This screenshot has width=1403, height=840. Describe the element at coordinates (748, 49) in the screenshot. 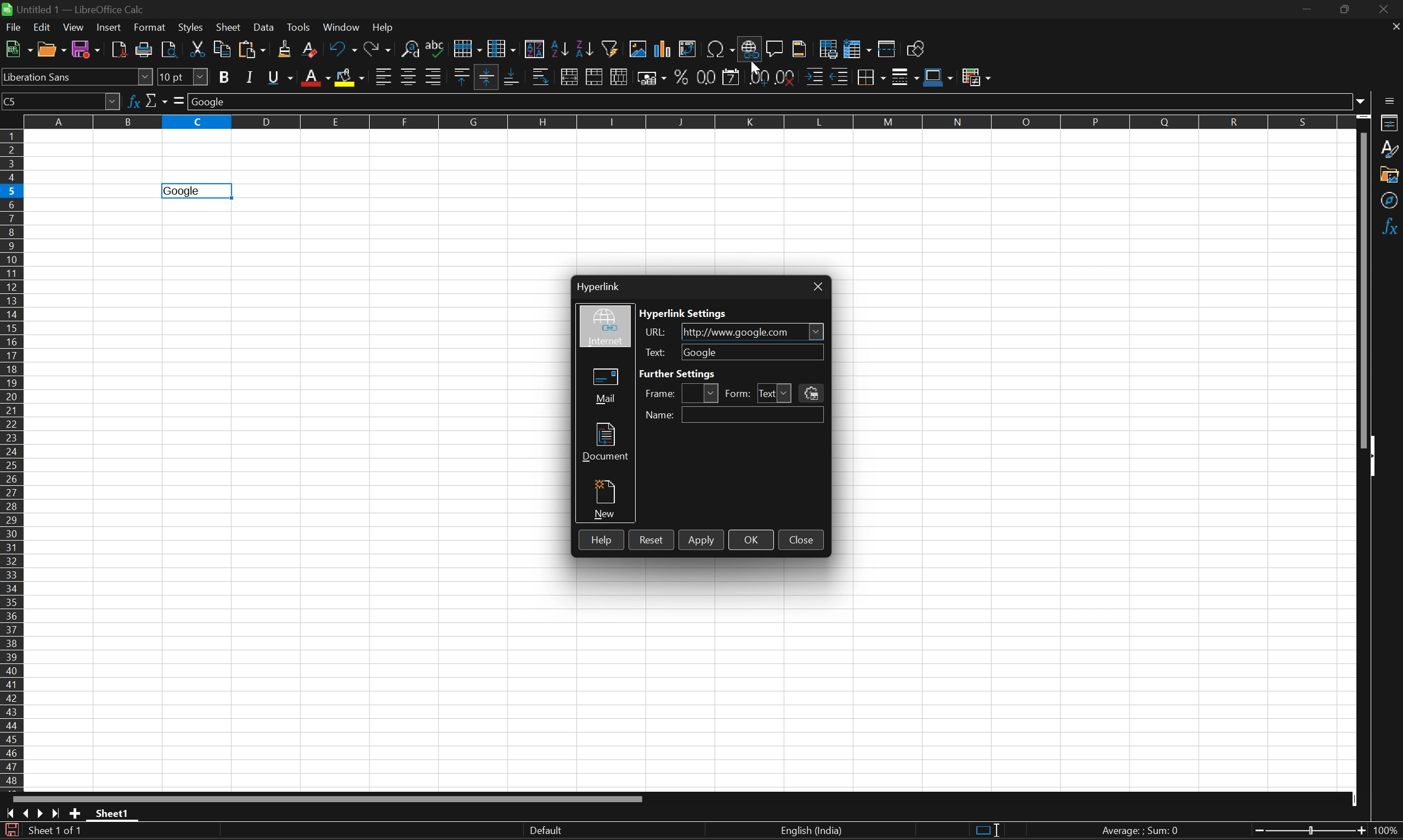

I see `Insert hyperlink` at that location.